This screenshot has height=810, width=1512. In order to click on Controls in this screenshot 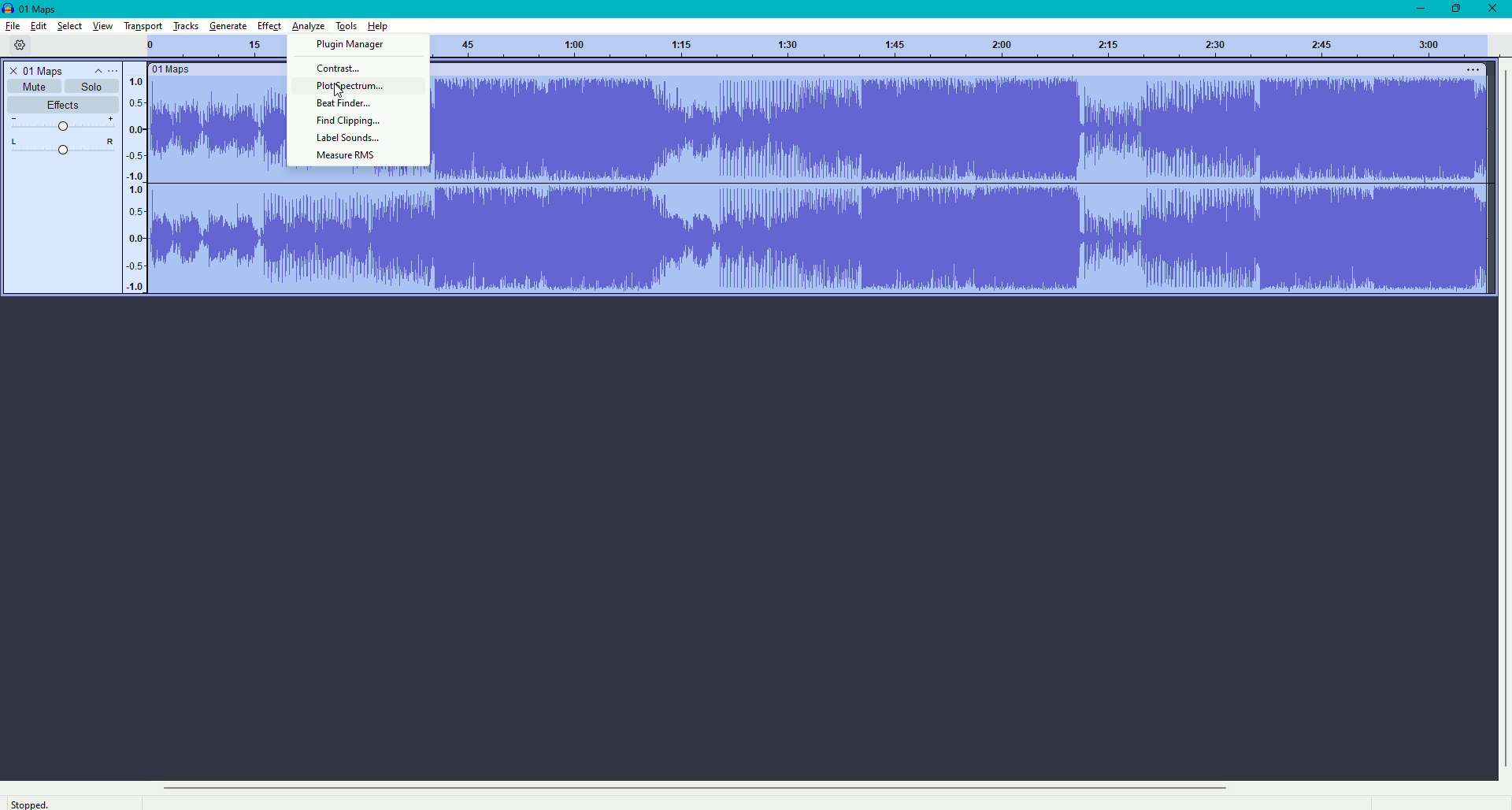, I will do `click(105, 71)`.